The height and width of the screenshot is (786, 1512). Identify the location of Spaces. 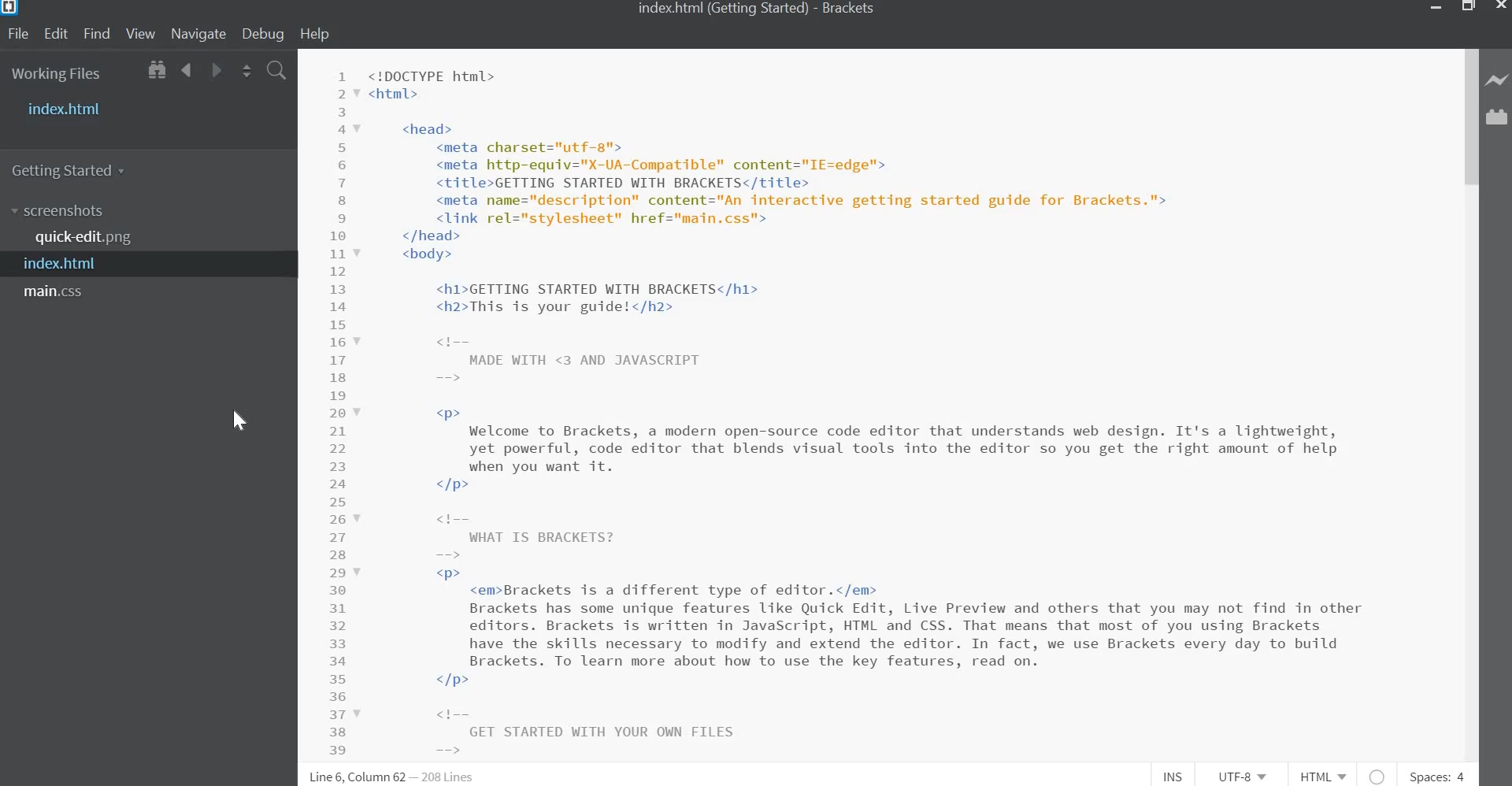
(1436, 777).